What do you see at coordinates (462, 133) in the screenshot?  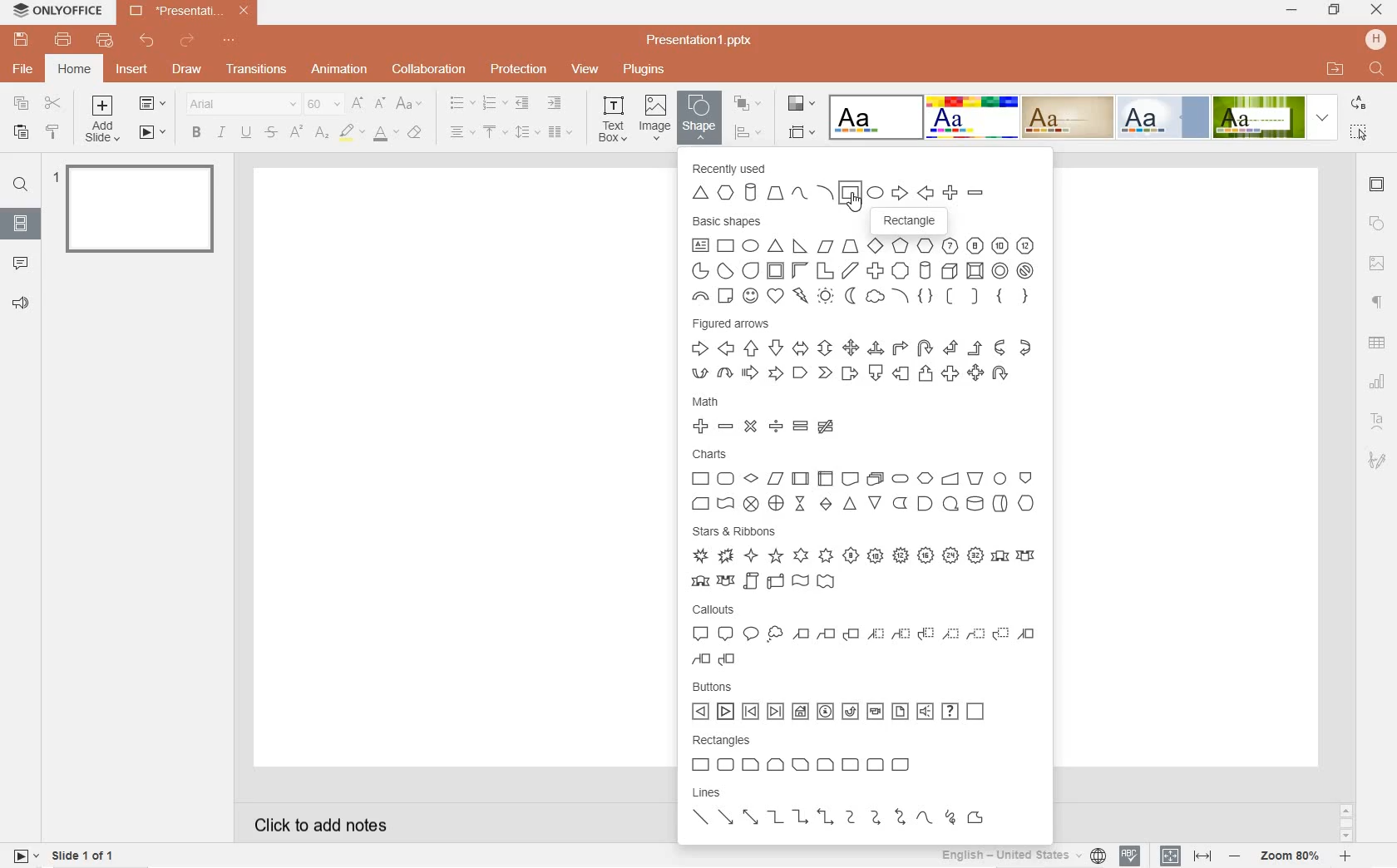 I see `horizontal align` at bounding box center [462, 133].